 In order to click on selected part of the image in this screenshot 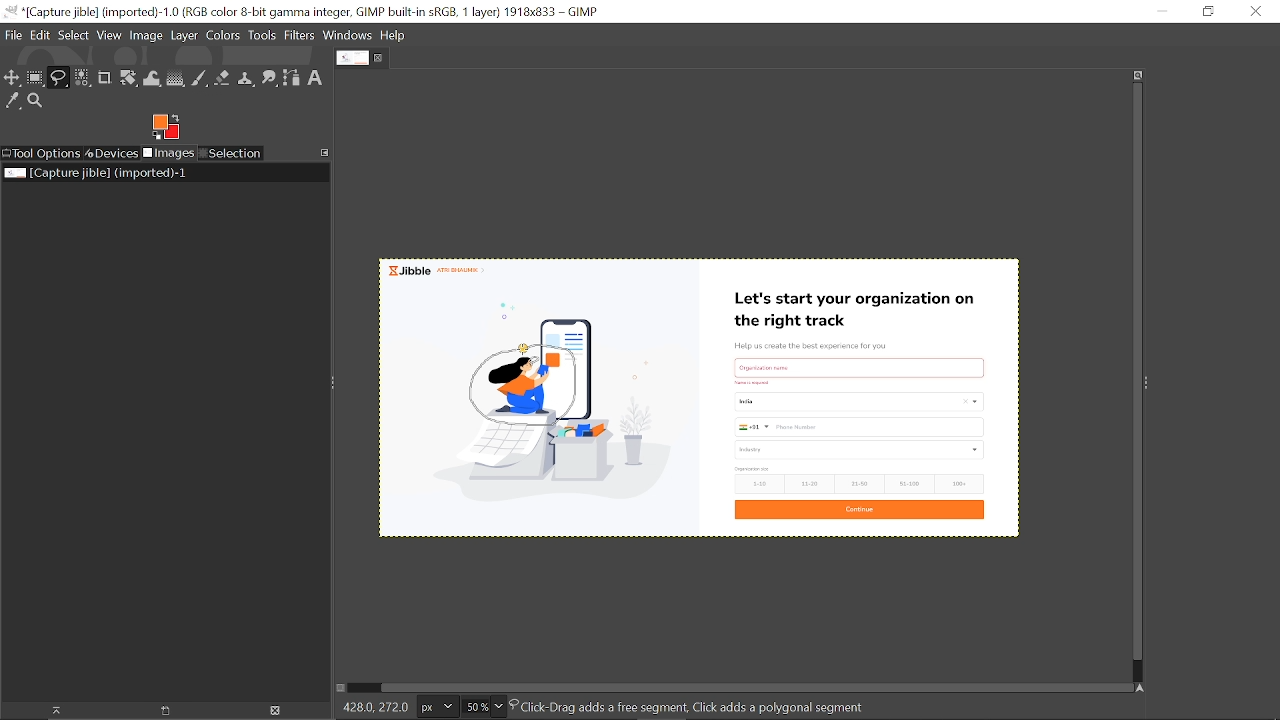, I will do `click(526, 399)`.